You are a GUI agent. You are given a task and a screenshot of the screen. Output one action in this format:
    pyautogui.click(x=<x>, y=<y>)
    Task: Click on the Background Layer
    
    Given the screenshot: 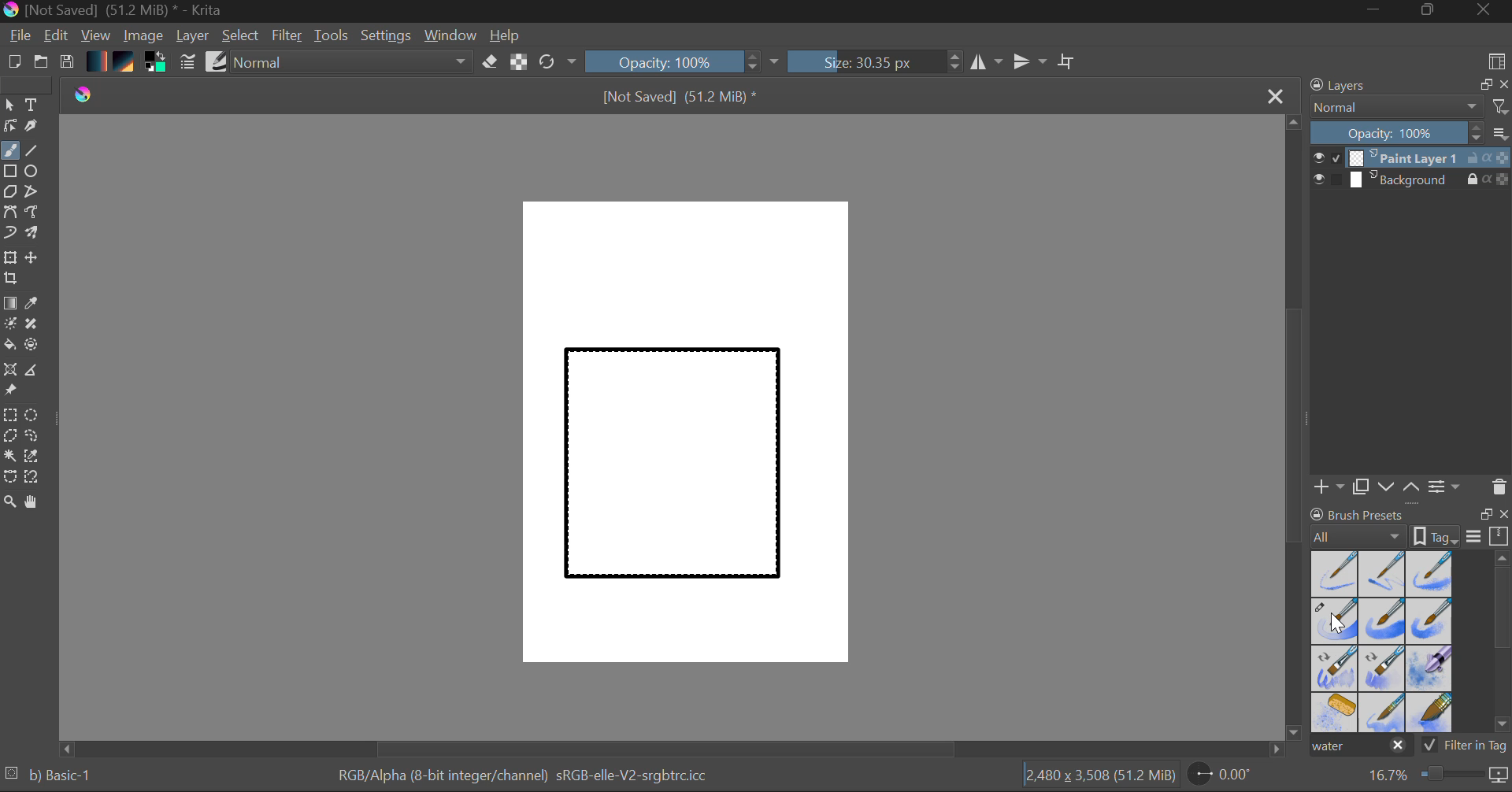 What is the action you would take?
    pyautogui.click(x=1411, y=180)
    